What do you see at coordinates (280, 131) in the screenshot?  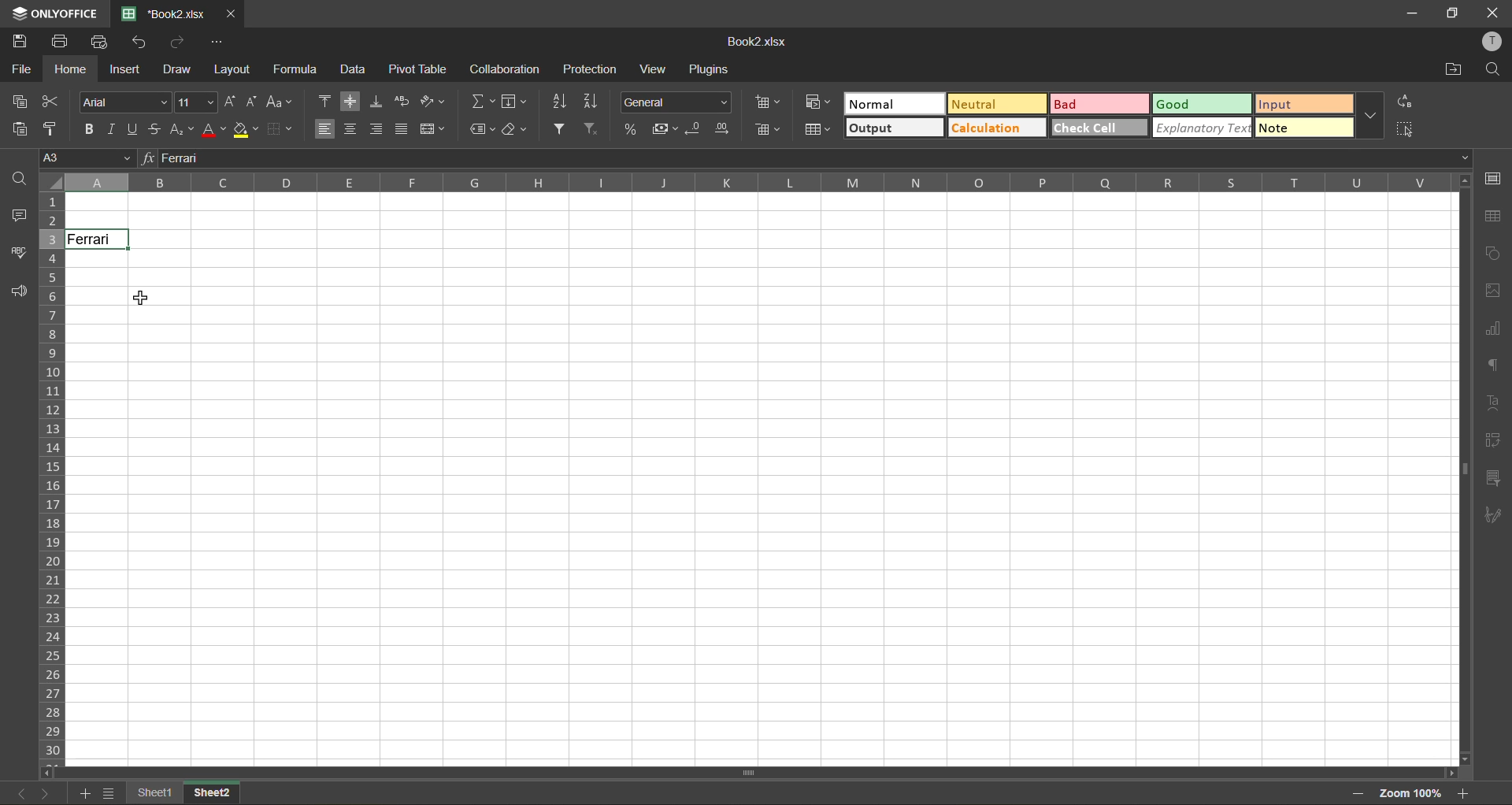 I see `borders` at bounding box center [280, 131].